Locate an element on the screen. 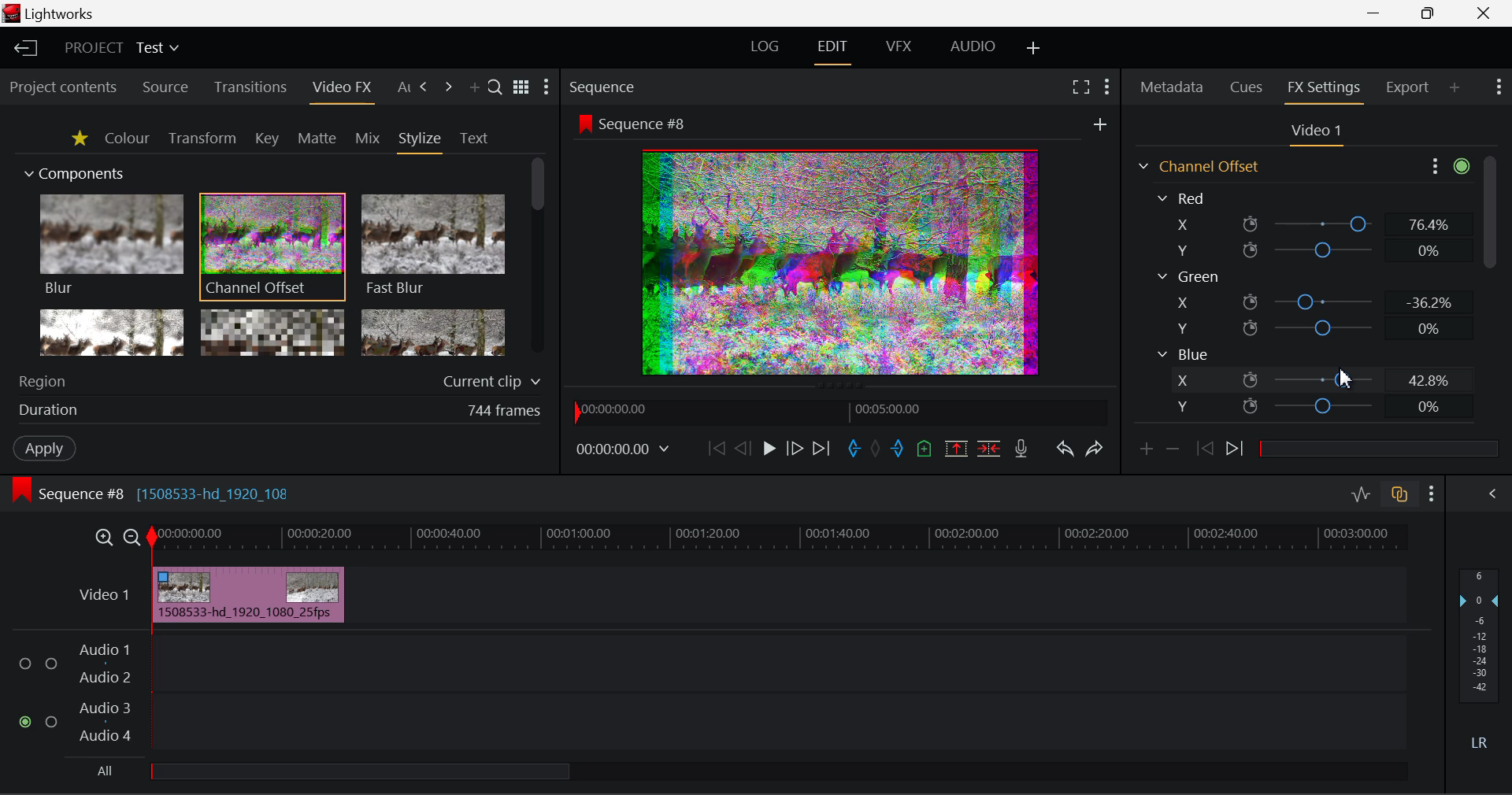 Image resolution: width=1512 pixels, height=795 pixels. Frame Time is located at coordinates (623, 451).